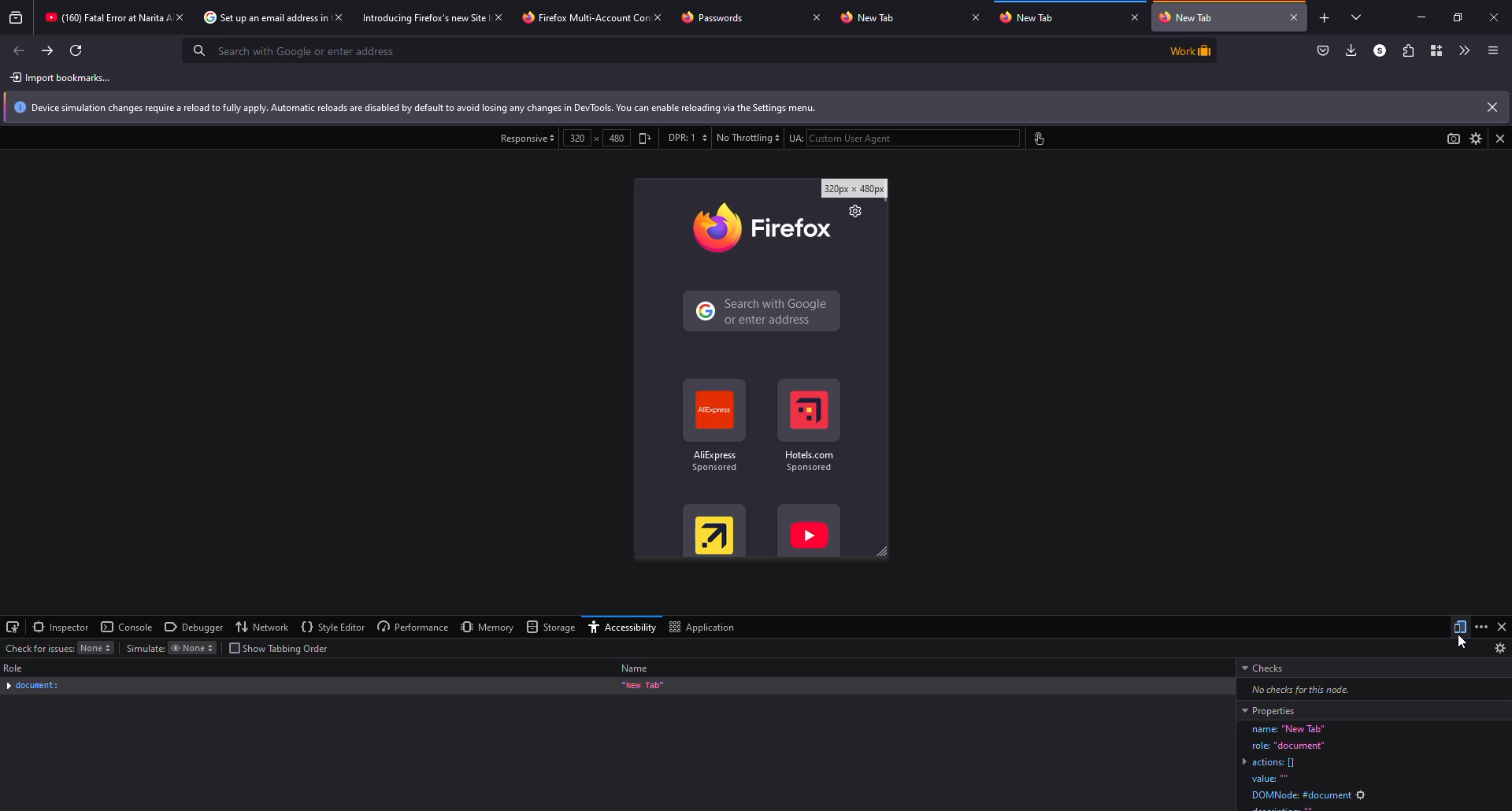 This screenshot has height=811, width=1512. Describe the element at coordinates (1377, 50) in the screenshot. I see `profile` at that location.